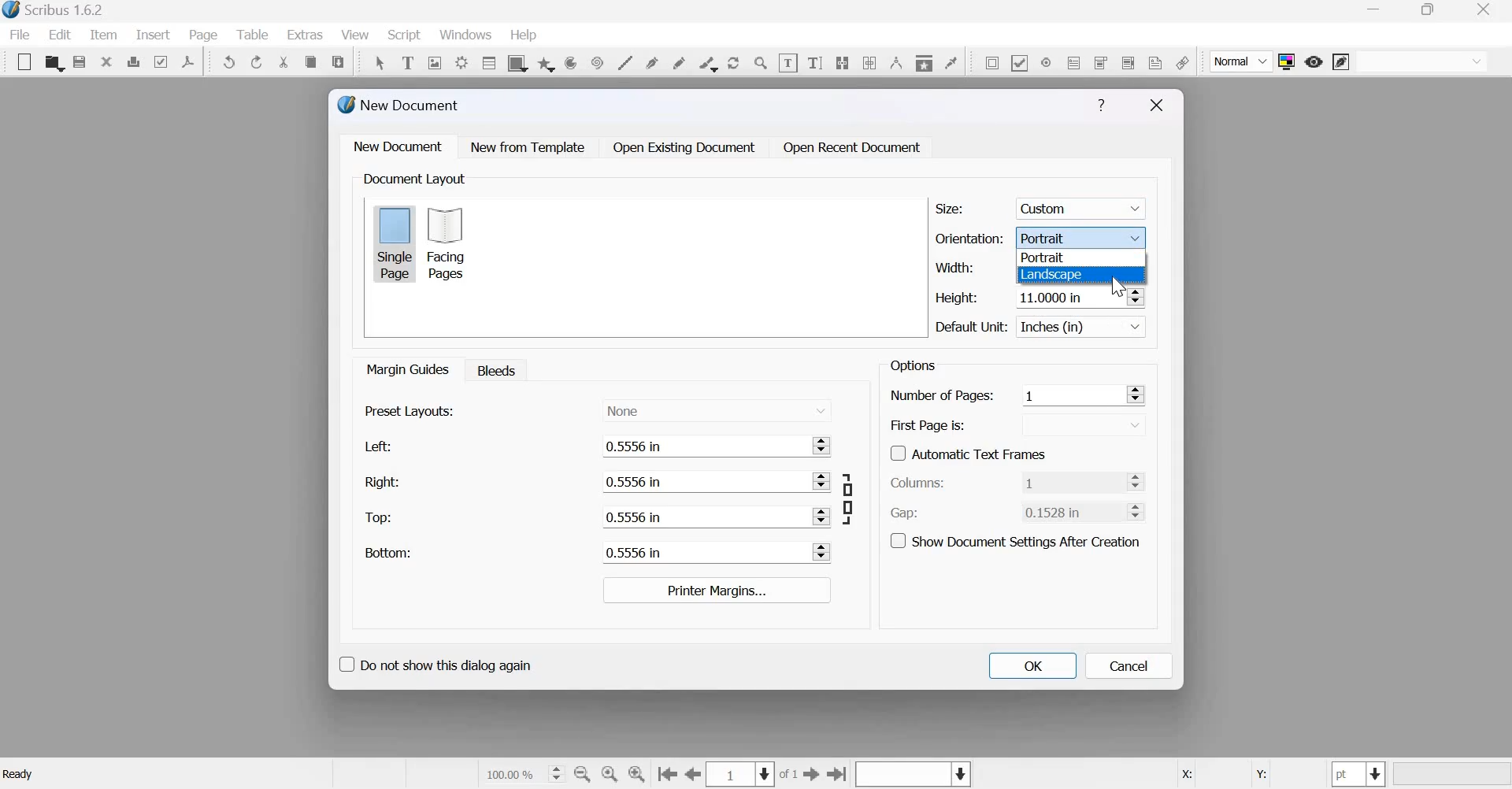 The image size is (1512, 789). Describe the element at coordinates (1084, 327) in the screenshot. I see `Inches (in)` at that location.